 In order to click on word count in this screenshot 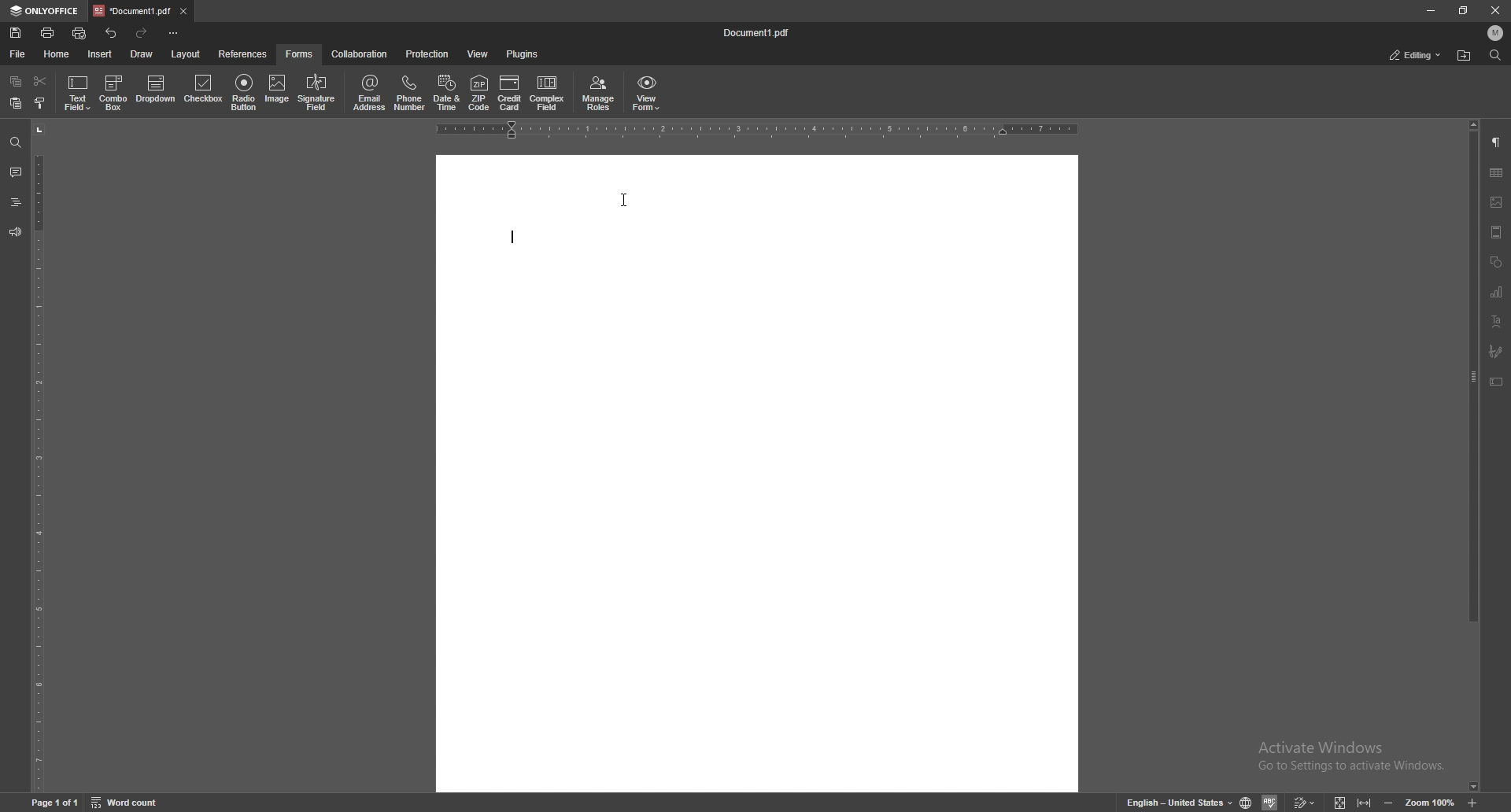, I will do `click(127, 803)`.